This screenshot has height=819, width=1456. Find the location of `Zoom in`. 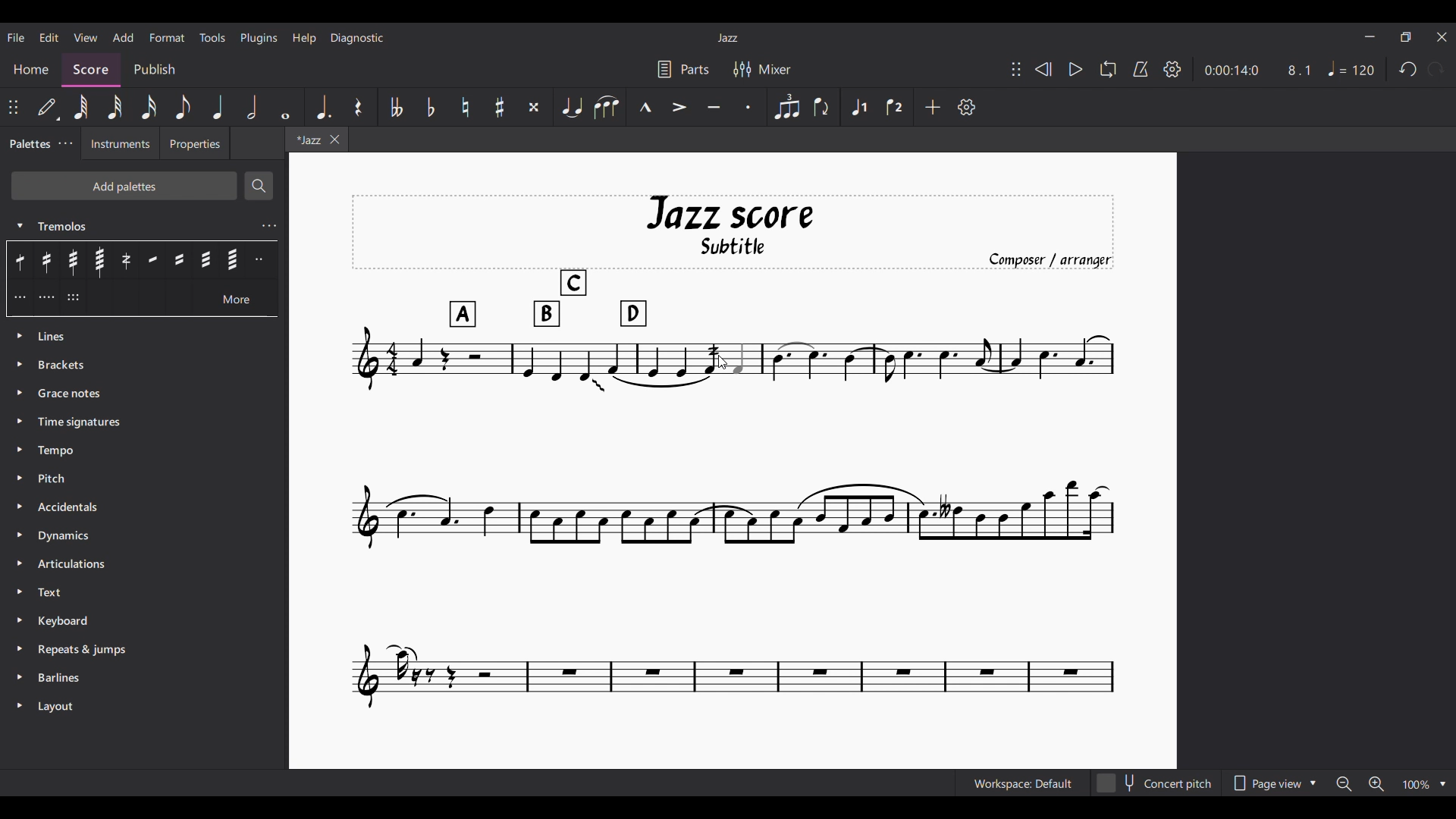

Zoom in is located at coordinates (1376, 783).